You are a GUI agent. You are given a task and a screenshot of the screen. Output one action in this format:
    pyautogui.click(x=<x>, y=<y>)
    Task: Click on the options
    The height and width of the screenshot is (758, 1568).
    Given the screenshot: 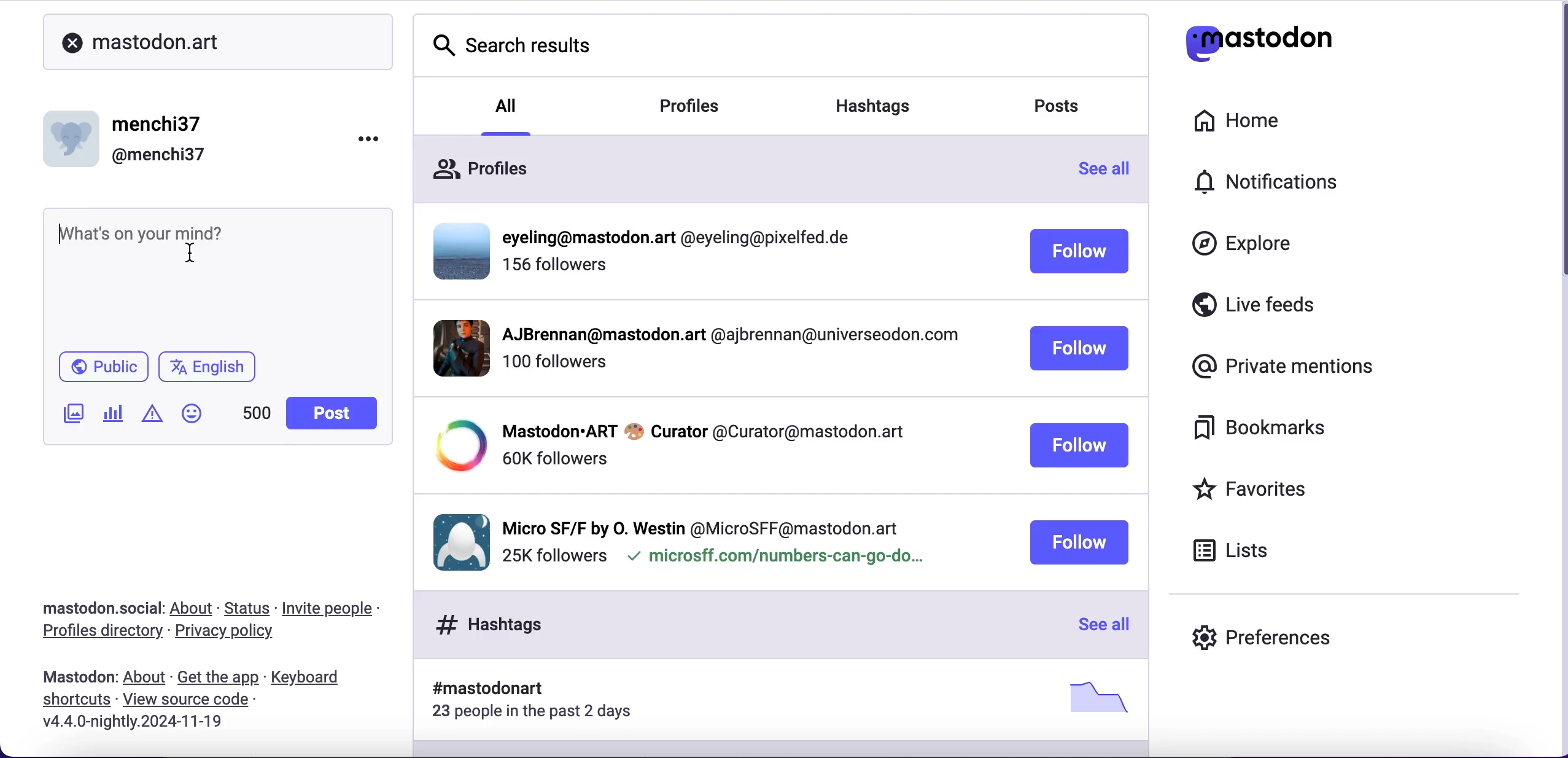 What is the action you would take?
    pyautogui.click(x=368, y=139)
    